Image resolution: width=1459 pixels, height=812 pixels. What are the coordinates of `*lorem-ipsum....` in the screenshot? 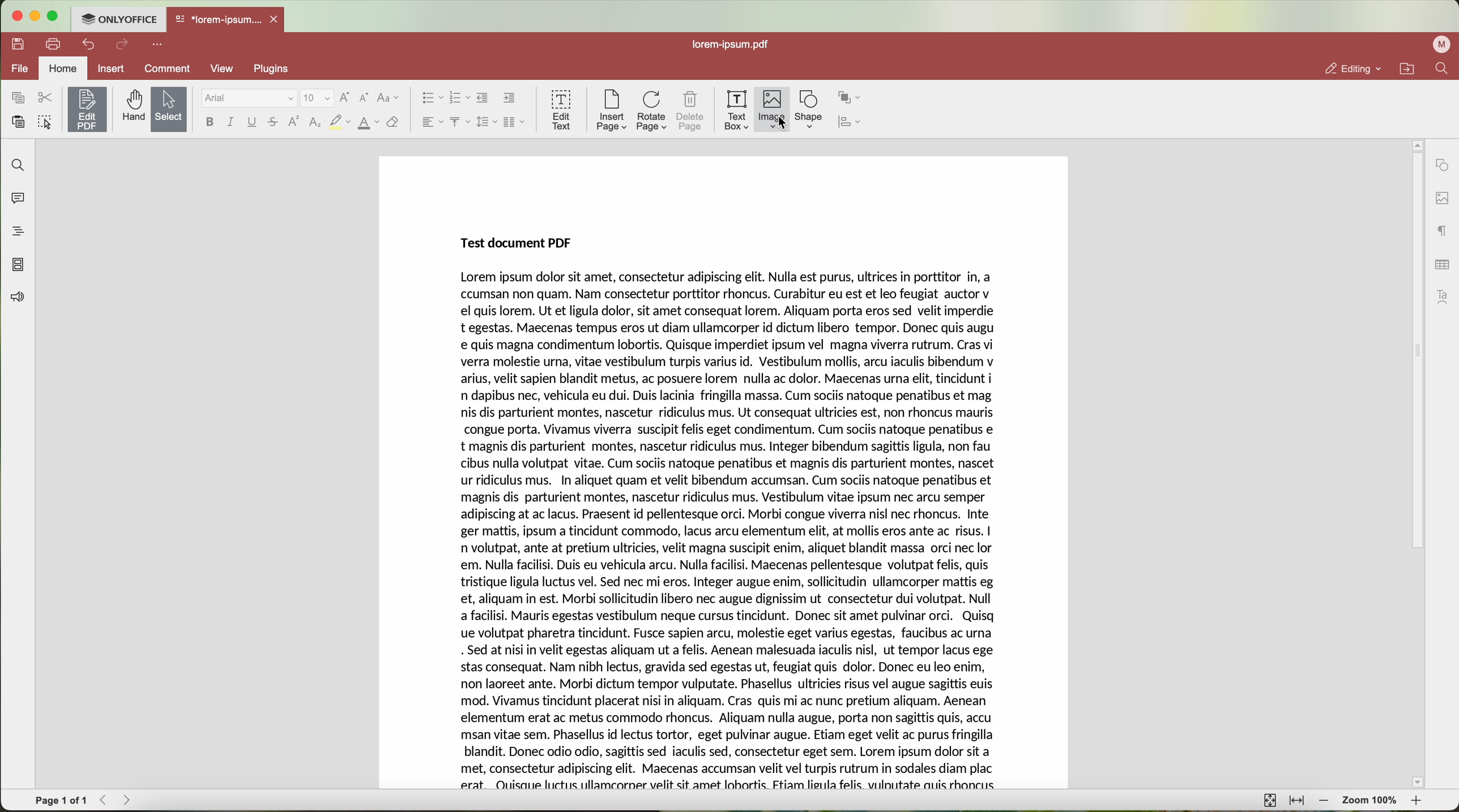 It's located at (217, 17).